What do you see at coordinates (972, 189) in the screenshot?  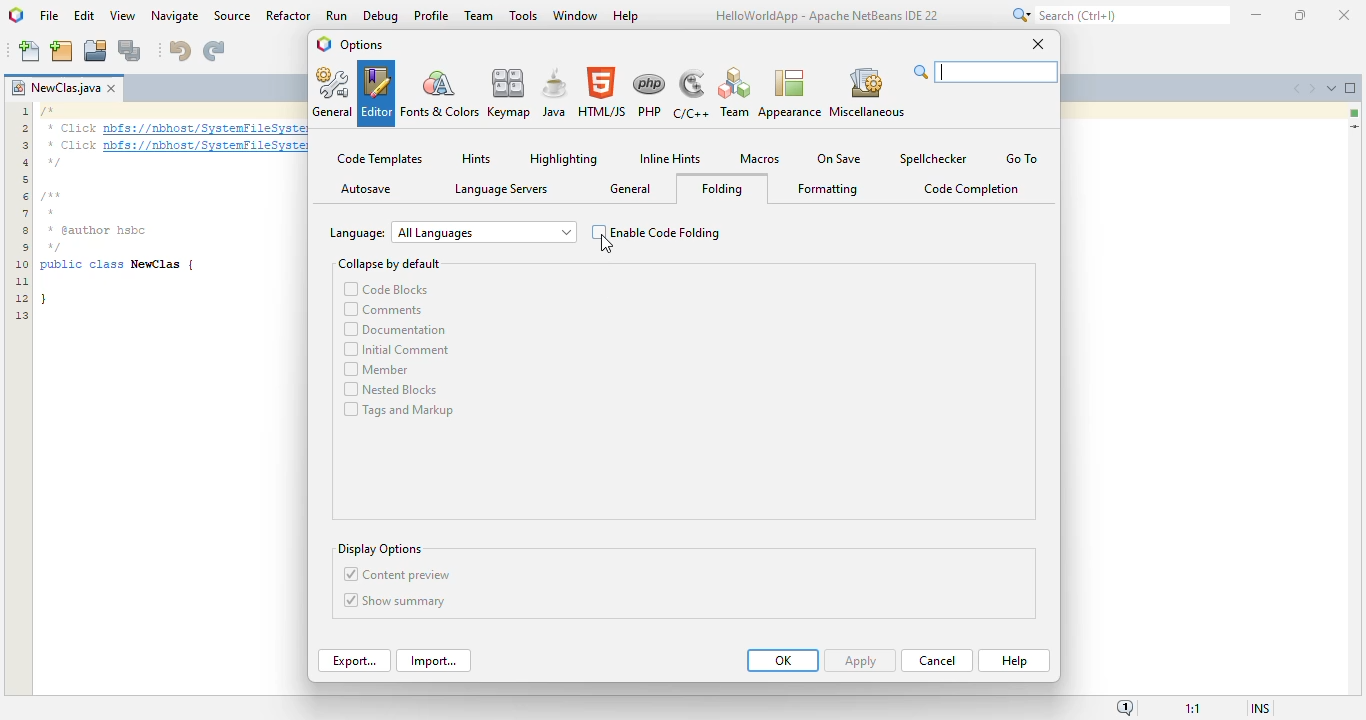 I see `code completion` at bounding box center [972, 189].